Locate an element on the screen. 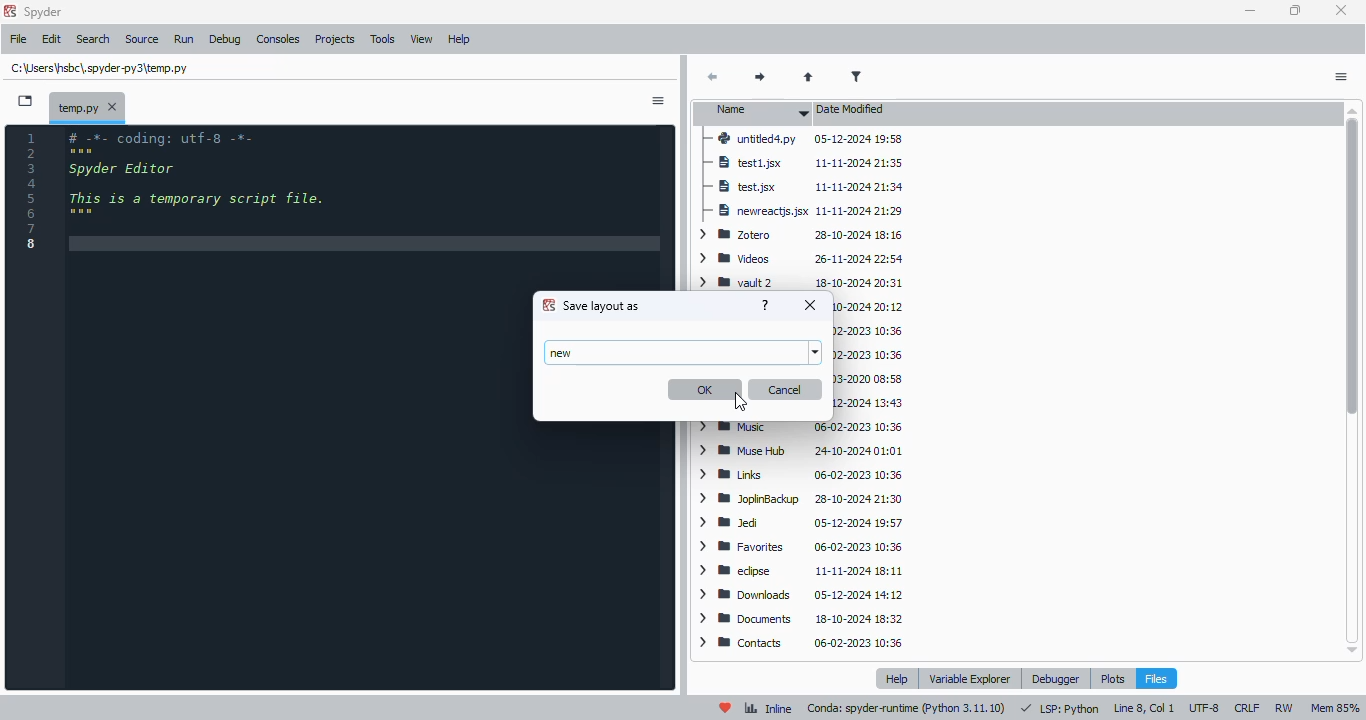 This screenshot has height=720, width=1366. maximize is located at coordinates (1295, 10).